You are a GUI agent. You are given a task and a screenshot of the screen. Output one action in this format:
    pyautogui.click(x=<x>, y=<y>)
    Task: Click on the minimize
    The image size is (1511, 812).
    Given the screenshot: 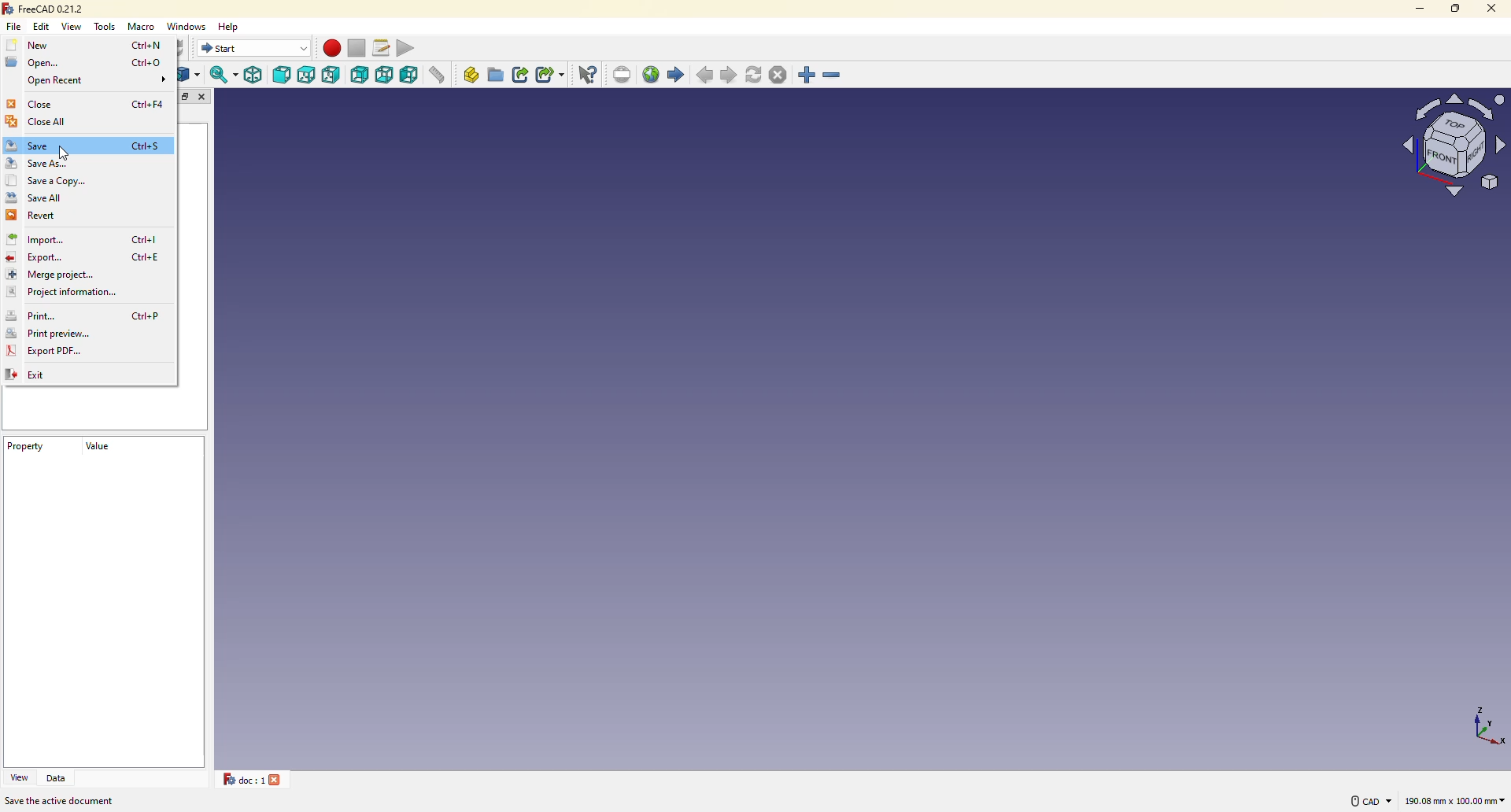 What is the action you would take?
    pyautogui.click(x=1418, y=8)
    